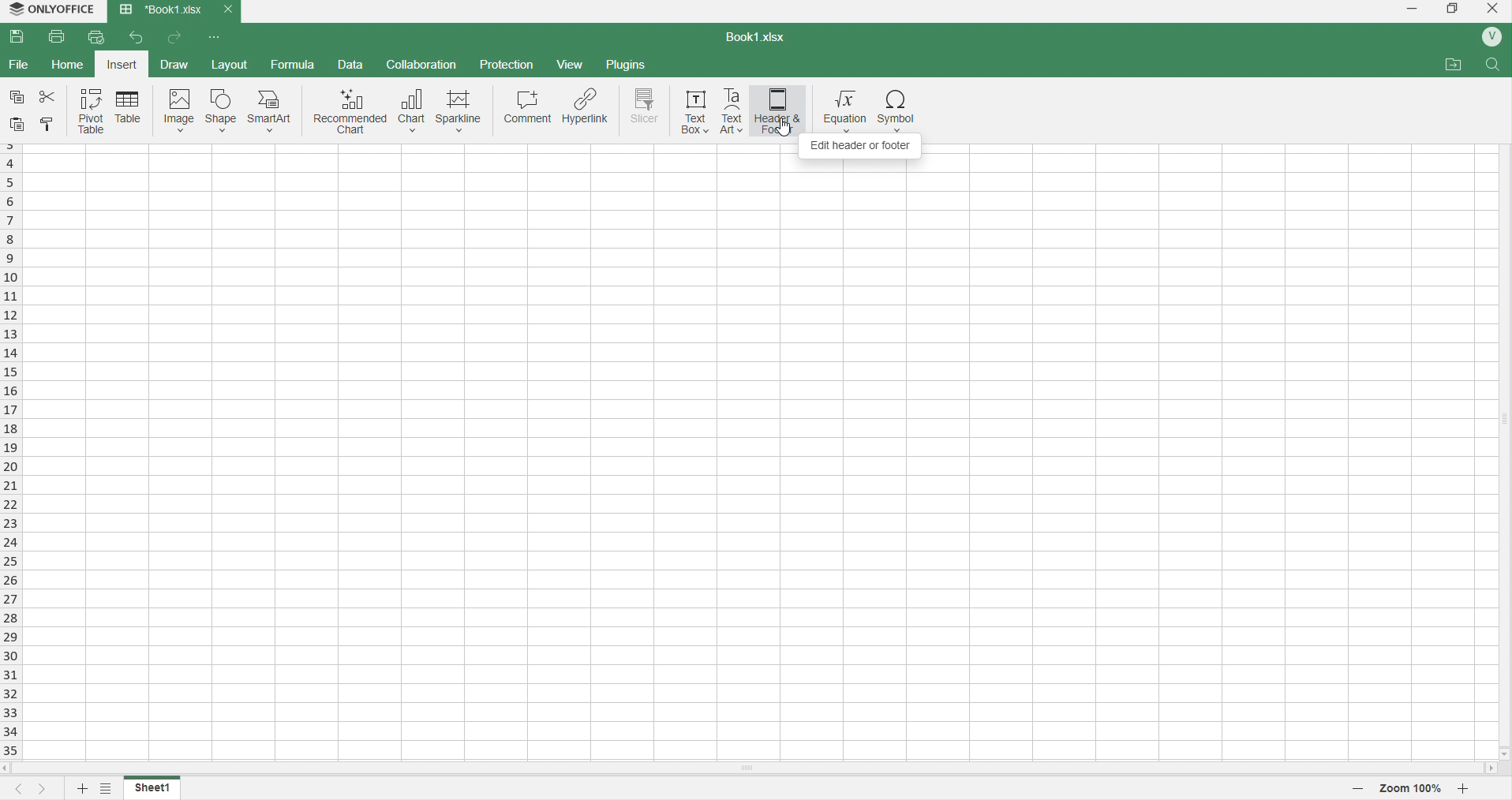 This screenshot has width=1512, height=800. Describe the element at coordinates (1491, 769) in the screenshot. I see `move right` at that location.